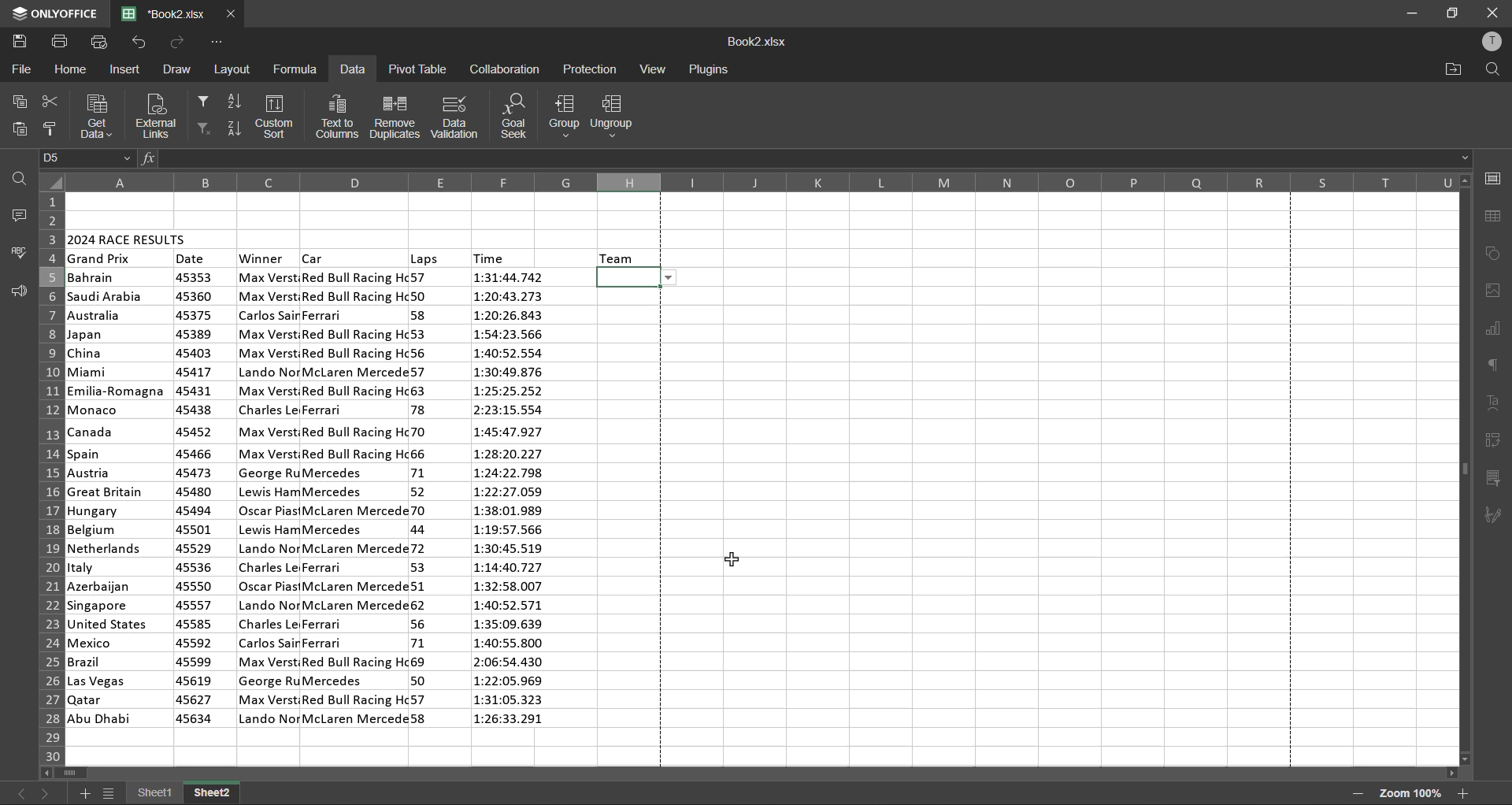  What do you see at coordinates (16, 215) in the screenshot?
I see `comments` at bounding box center [16, 215].